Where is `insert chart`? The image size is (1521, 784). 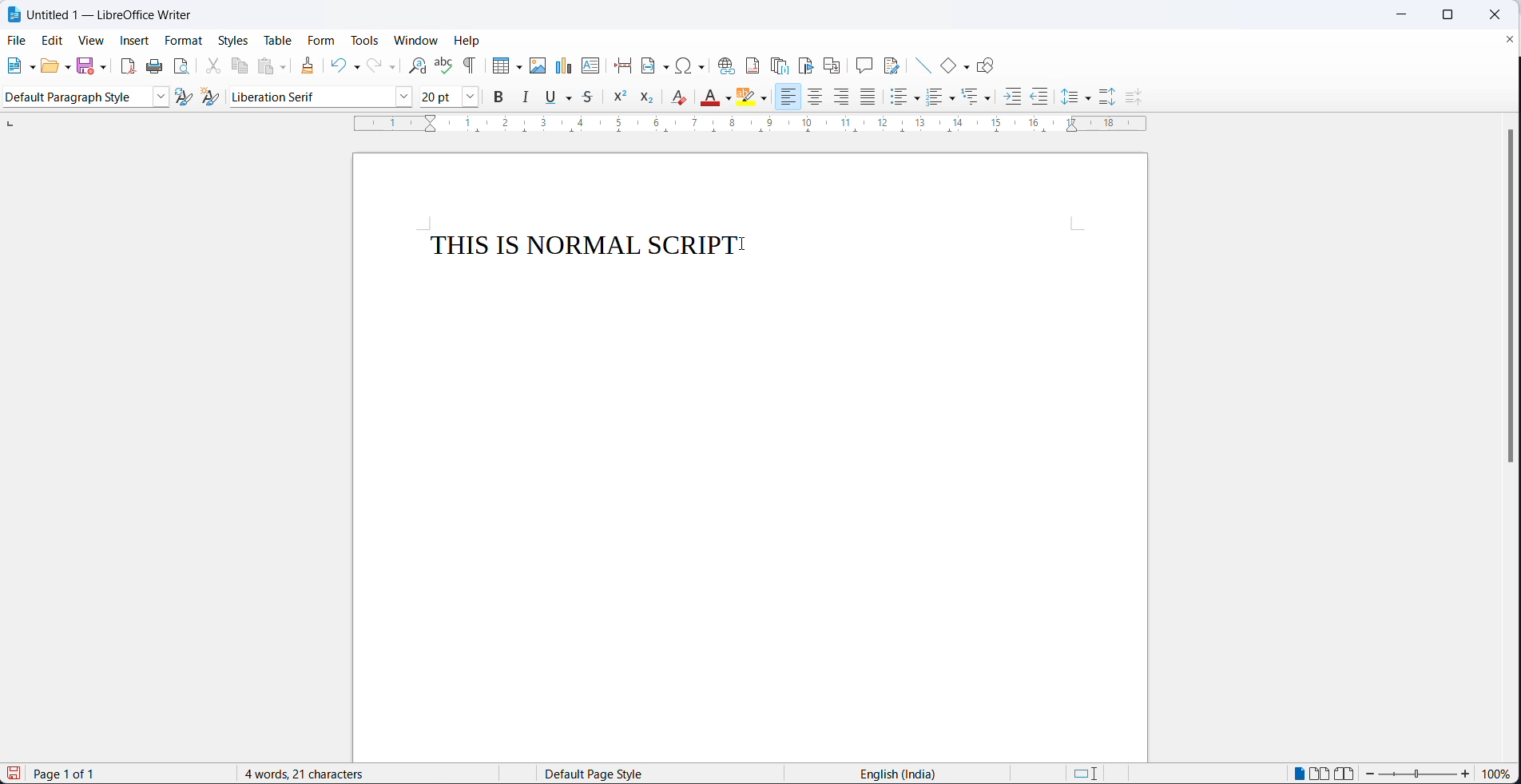 insert chart is located at coordinates (563, 65).